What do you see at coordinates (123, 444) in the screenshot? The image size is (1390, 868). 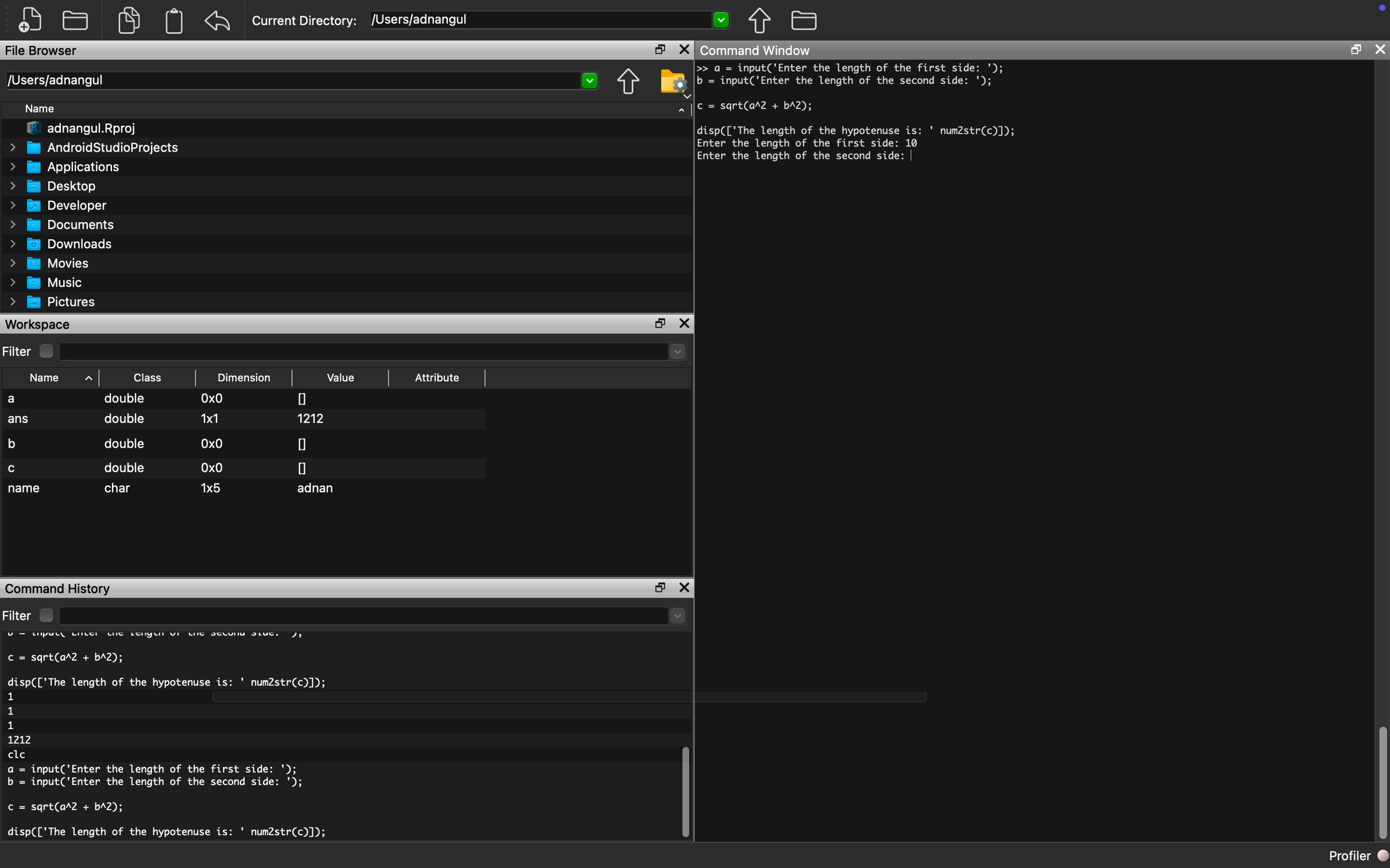 I see `double` at bounding box center [123, 444].